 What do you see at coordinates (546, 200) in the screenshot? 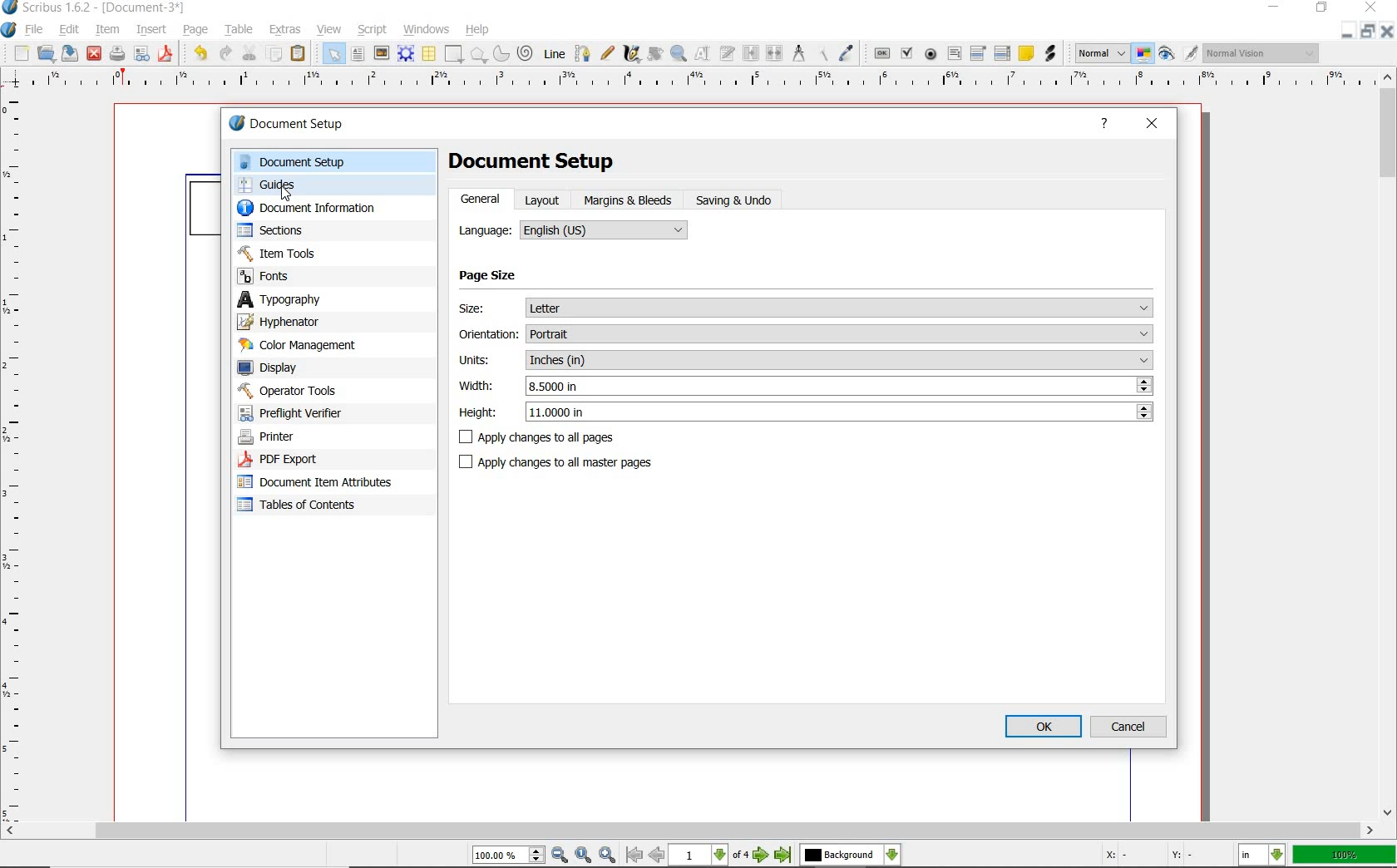
I see `layout` at bounding box center [546, 200].